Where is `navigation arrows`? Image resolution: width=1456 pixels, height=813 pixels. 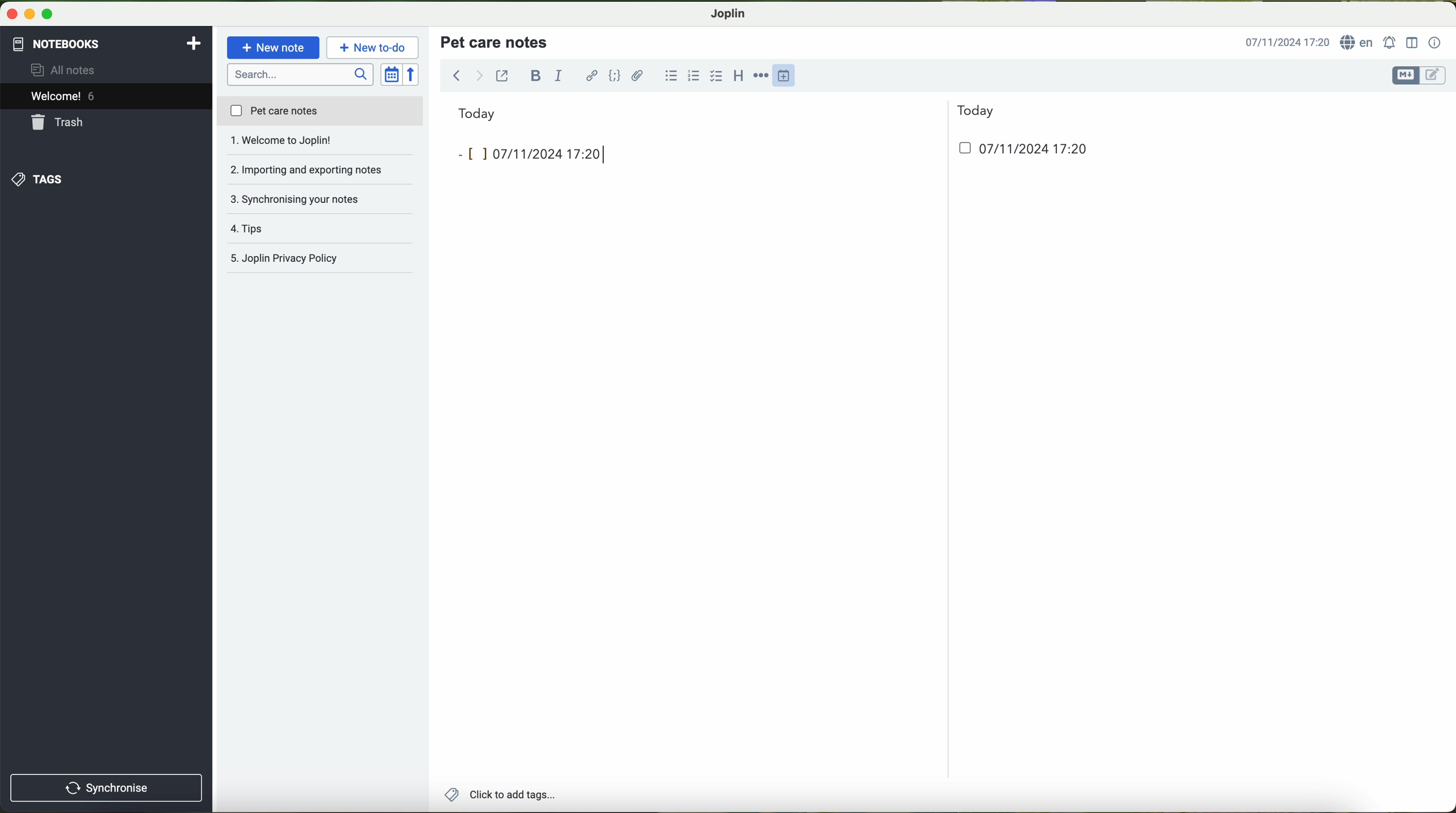
navigation arrows is located at coordinates (466, 75).